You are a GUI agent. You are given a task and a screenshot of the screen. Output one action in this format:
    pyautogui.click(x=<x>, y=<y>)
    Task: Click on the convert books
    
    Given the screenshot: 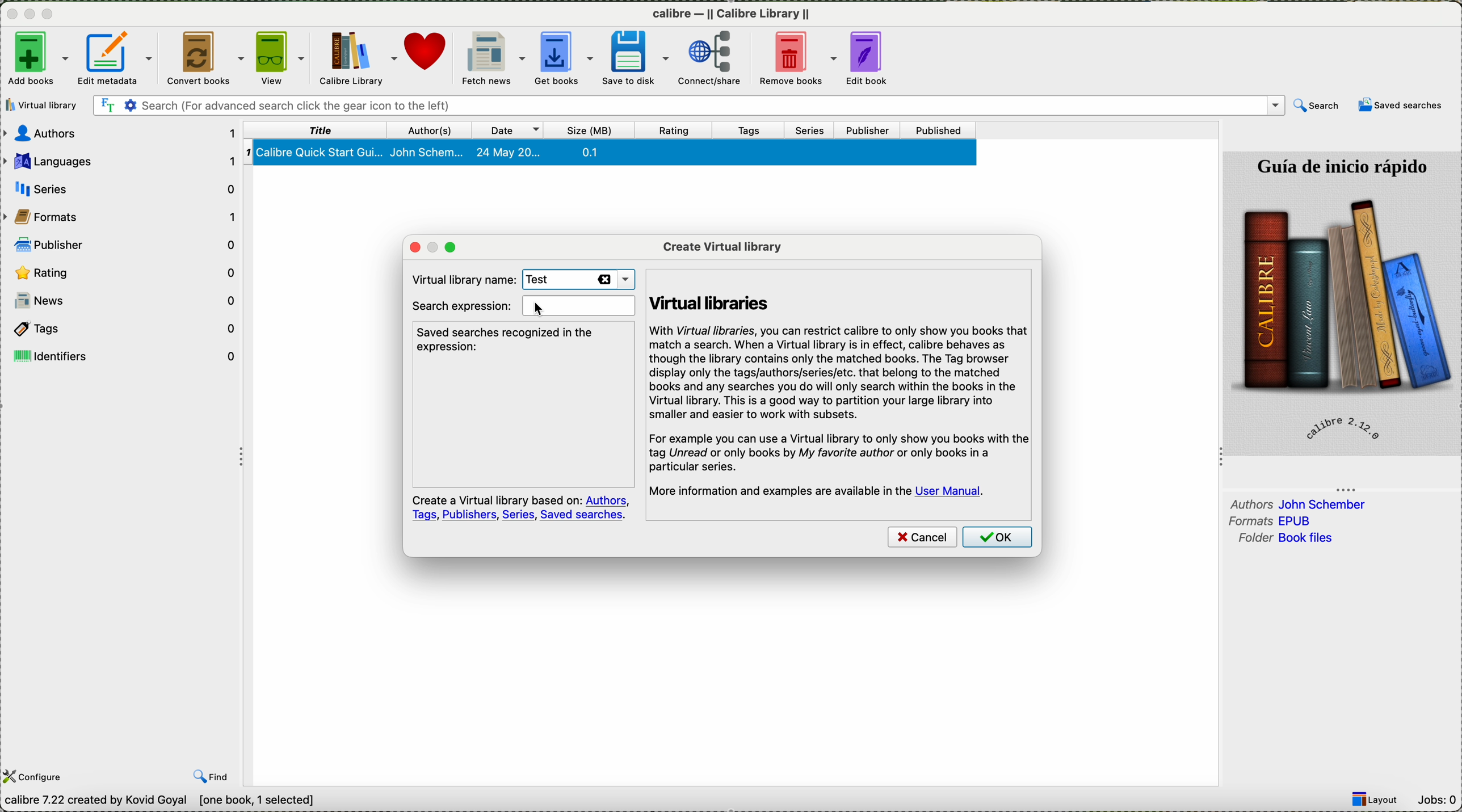 What is the action you would take?
    pyautogui.click(x=205, y=58)
    